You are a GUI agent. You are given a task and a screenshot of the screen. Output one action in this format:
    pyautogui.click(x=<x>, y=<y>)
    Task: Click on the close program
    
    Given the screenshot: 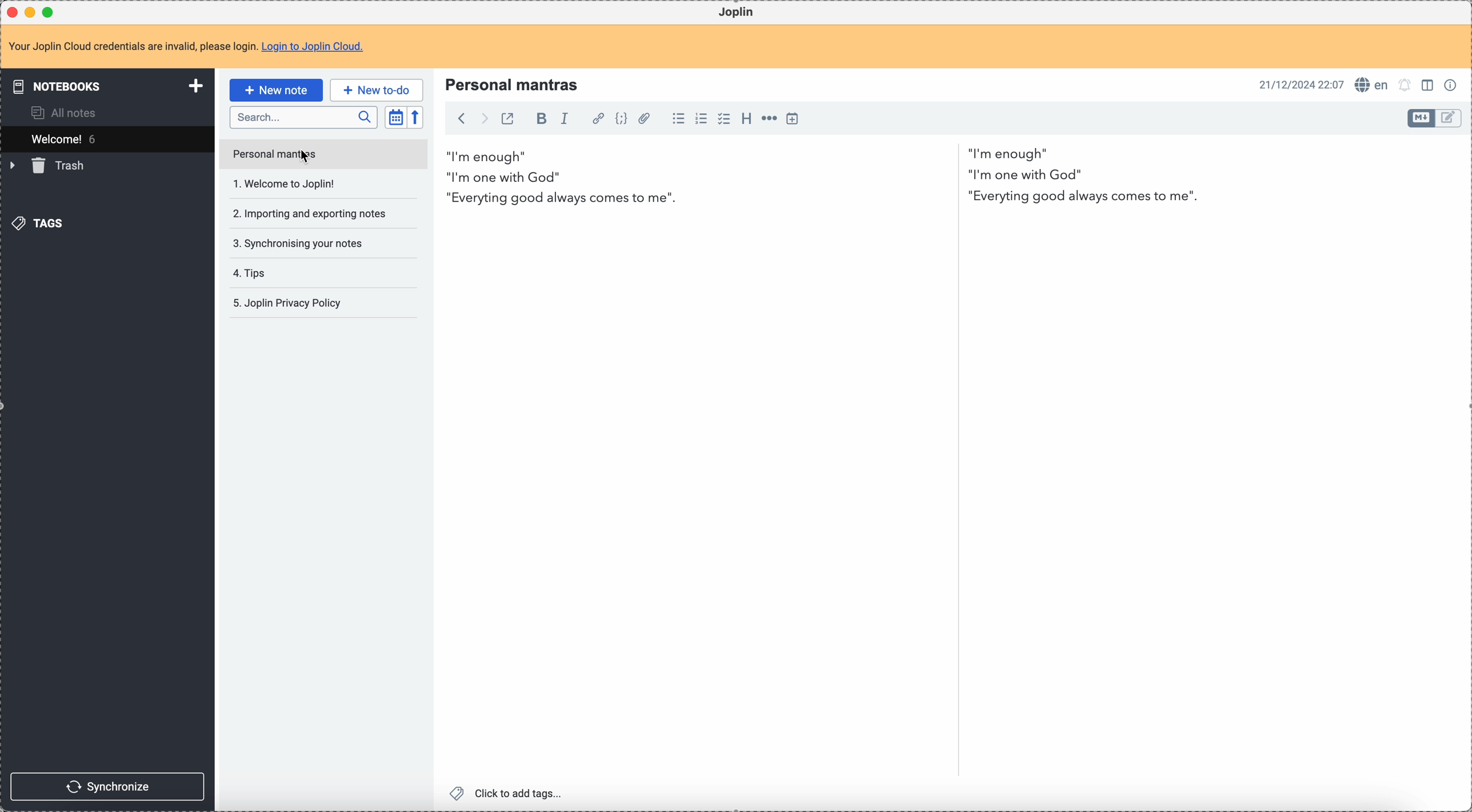 What is the action you would take?
    pyautogui.click(x=11, y=13)
    